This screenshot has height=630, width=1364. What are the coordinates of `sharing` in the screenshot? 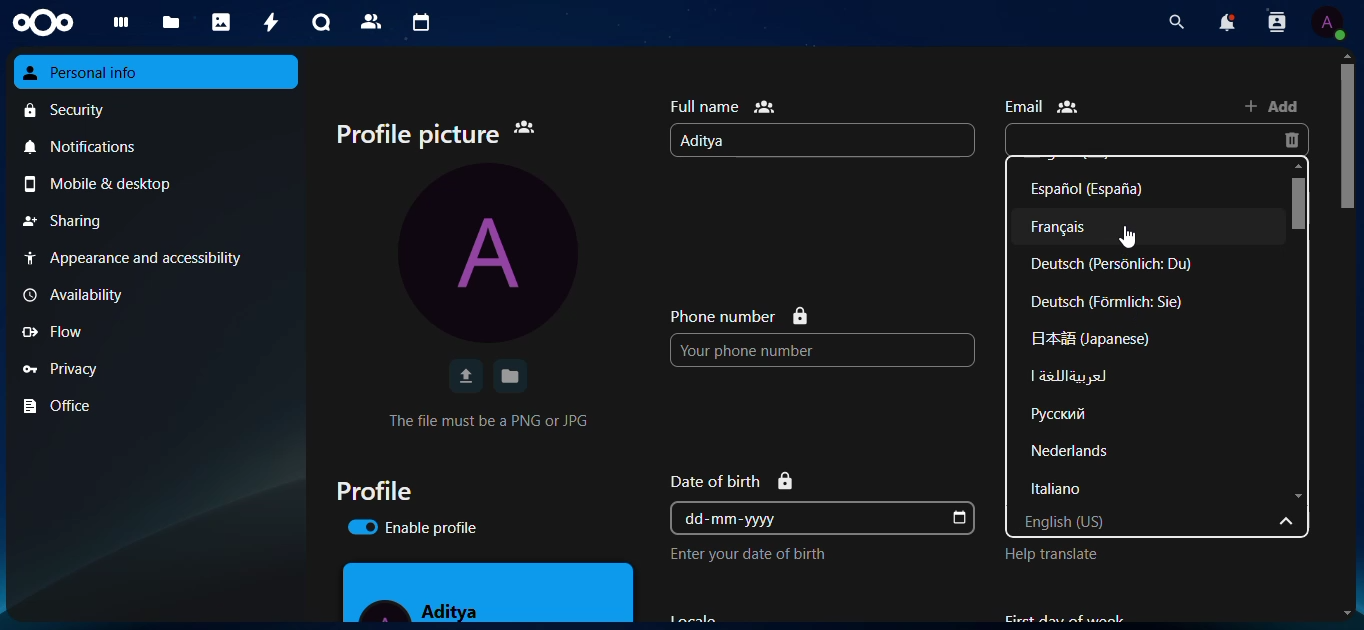 It's located at (67, 221).